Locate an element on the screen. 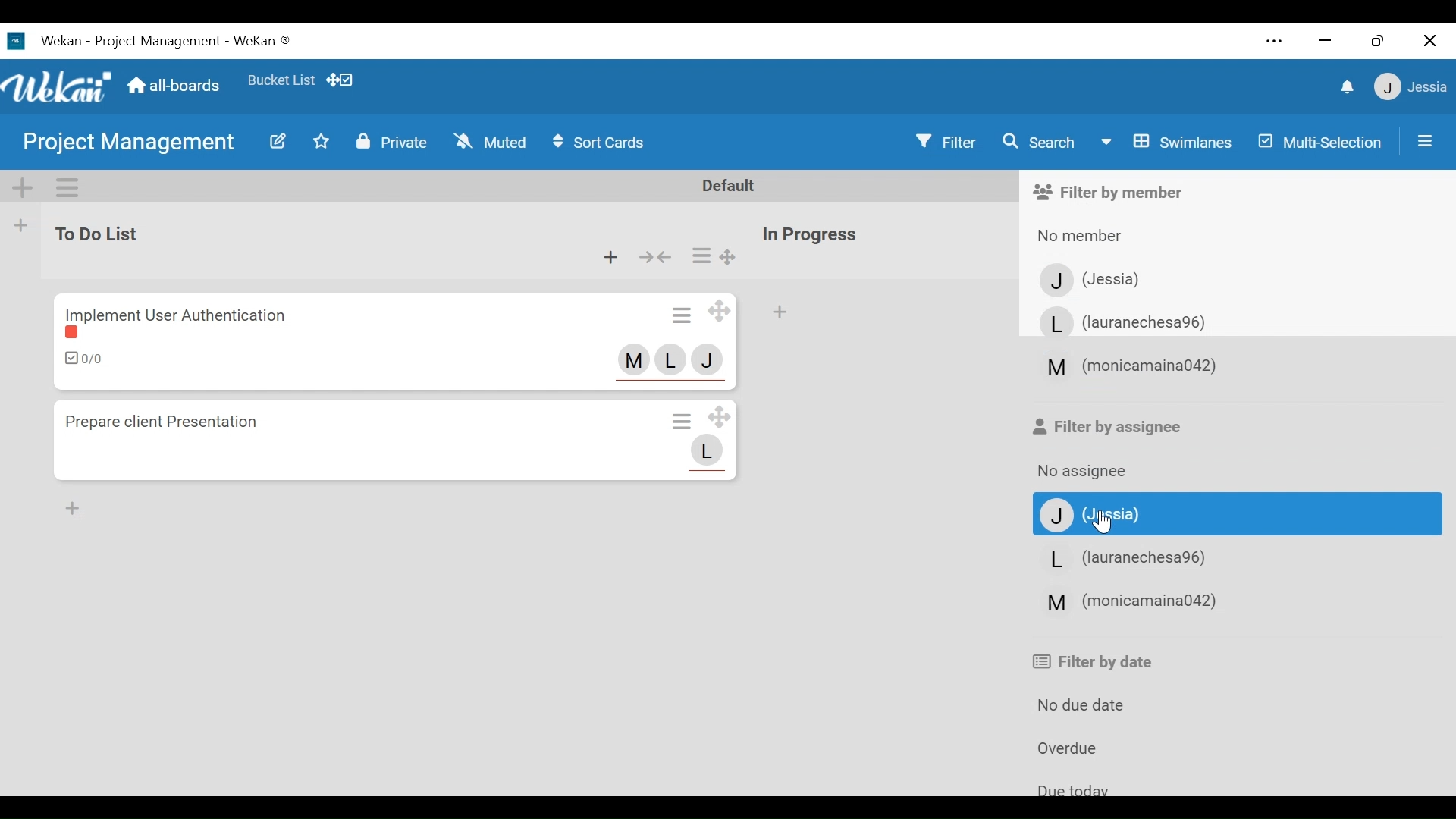  Restore is located at coordinates (1376, 40).